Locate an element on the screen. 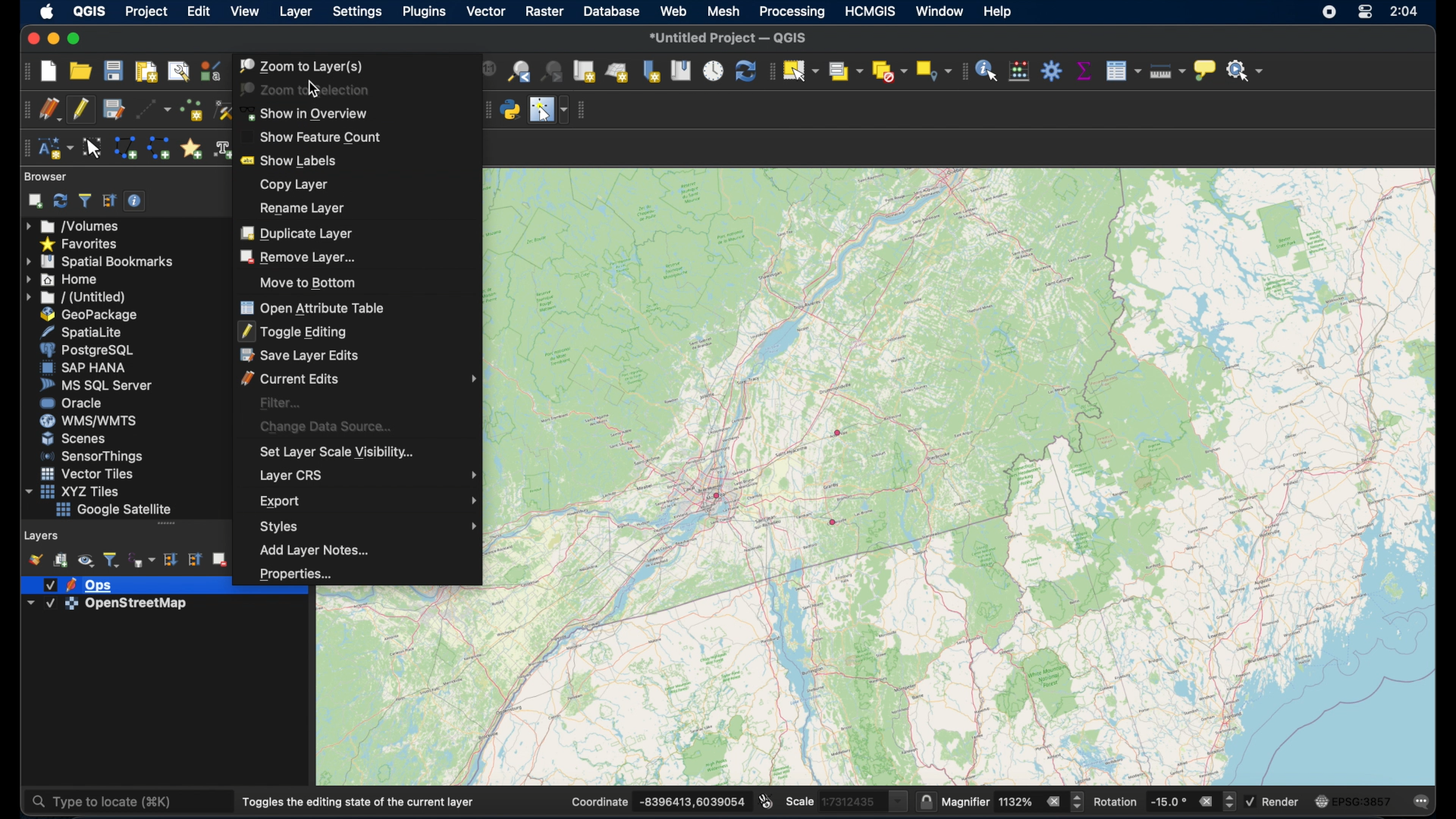 This screenshot has height=819, width=1456. manage map themes is located at coordinates (84, 560).